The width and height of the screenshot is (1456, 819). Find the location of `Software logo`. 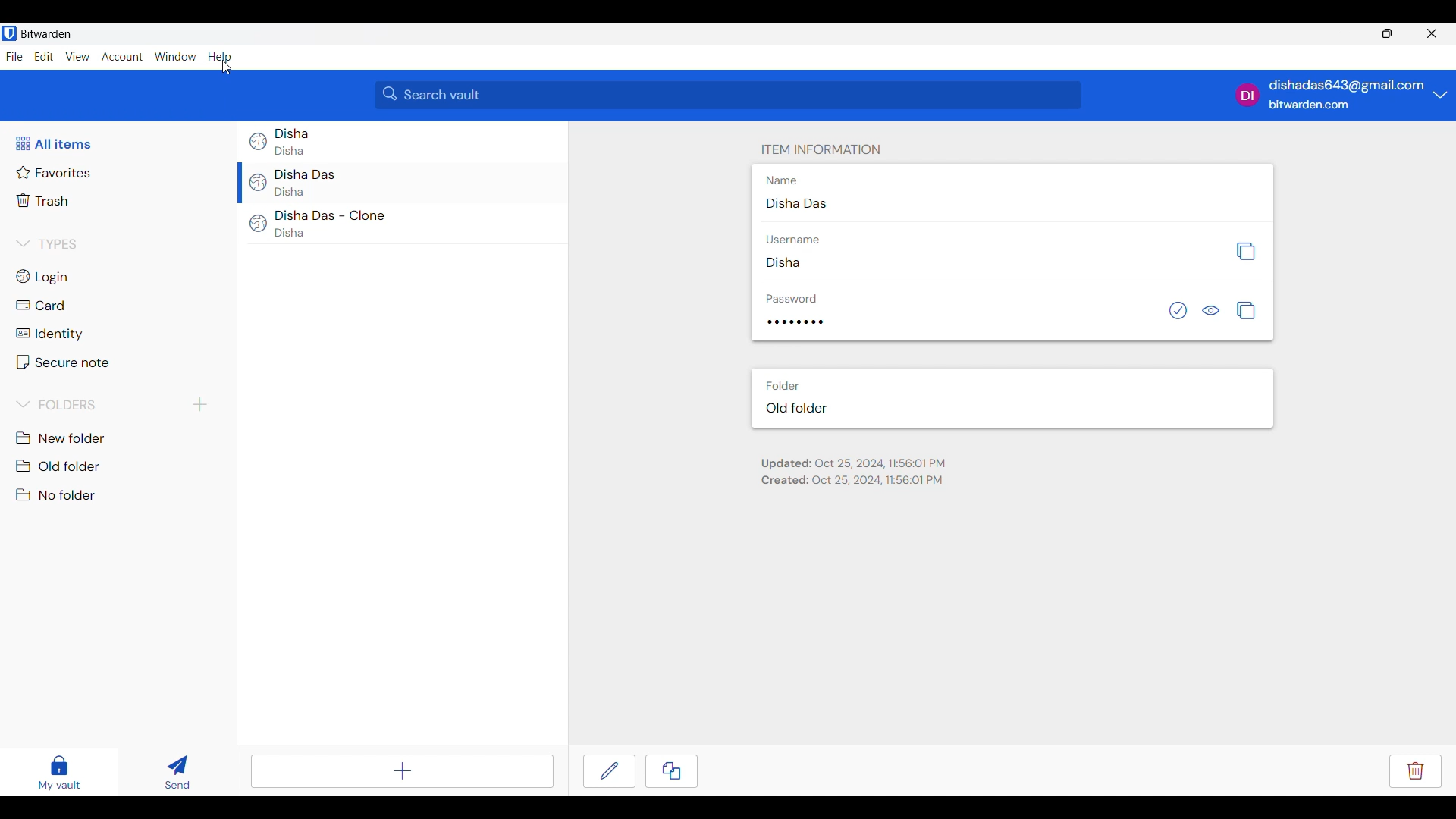

Software logo is located at coordinates (9, 33).